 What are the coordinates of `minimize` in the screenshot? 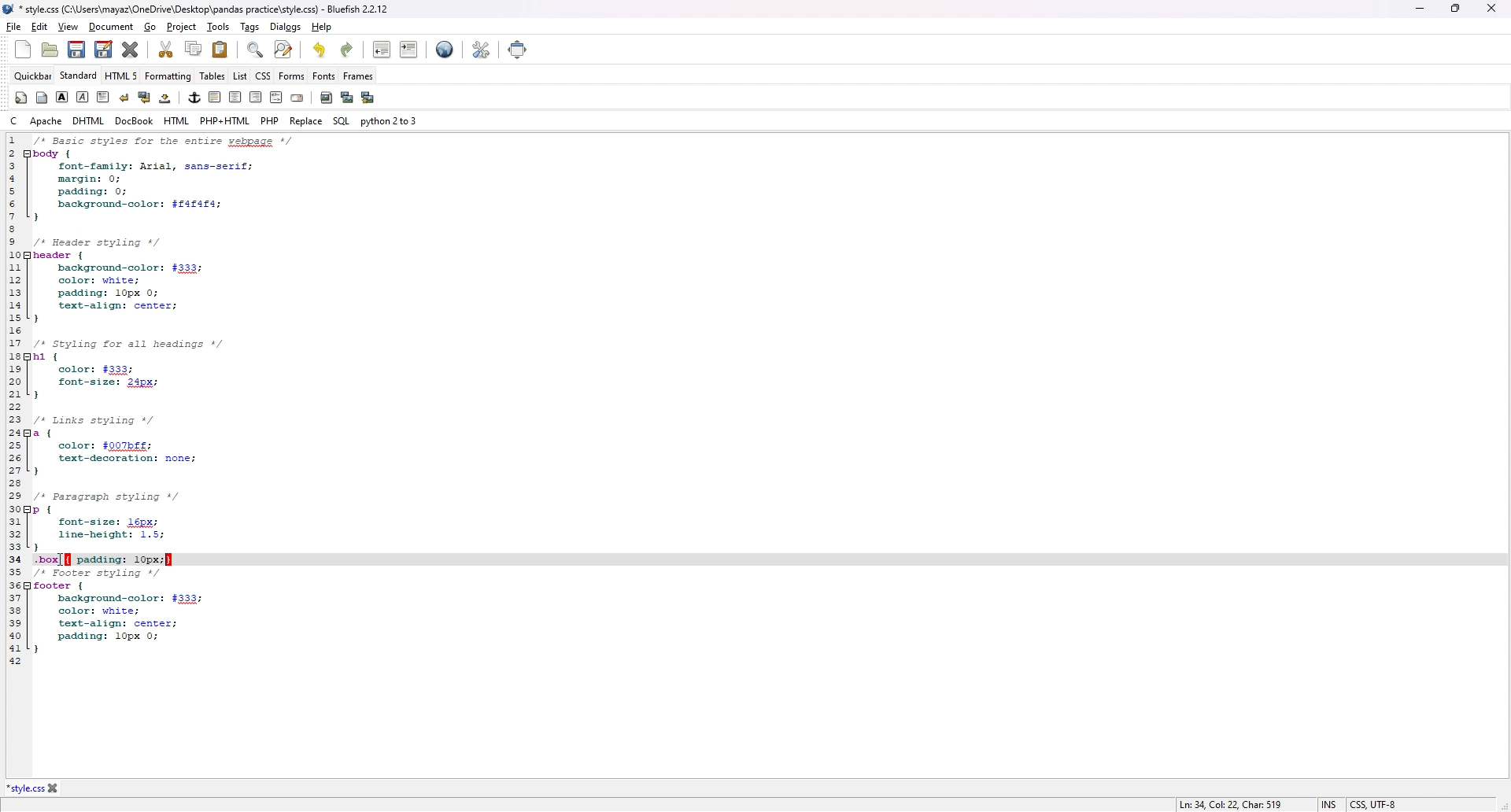 It's located at (1420, 9).